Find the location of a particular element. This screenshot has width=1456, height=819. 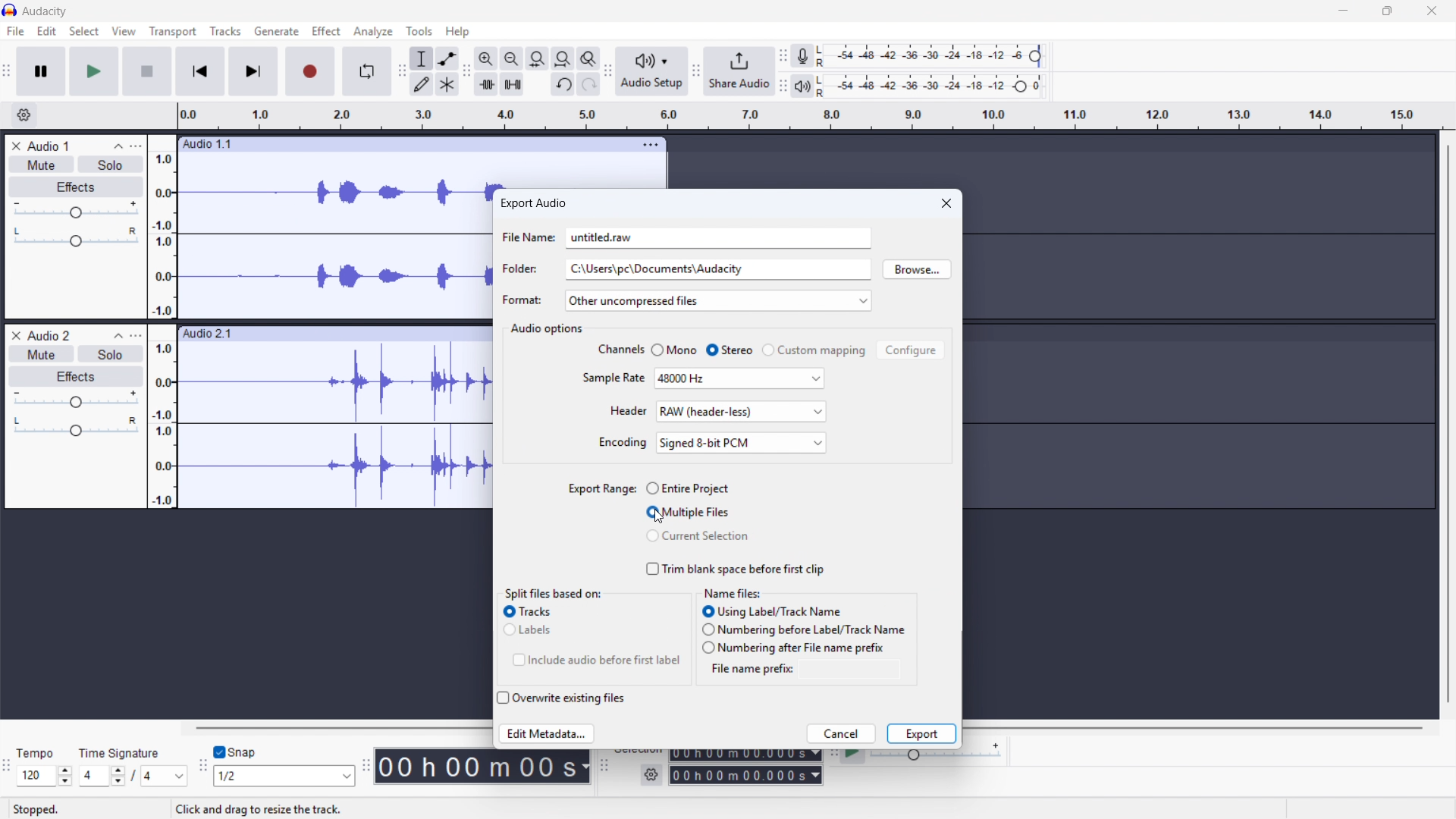

Solo  is located at coordinates (111, 165).